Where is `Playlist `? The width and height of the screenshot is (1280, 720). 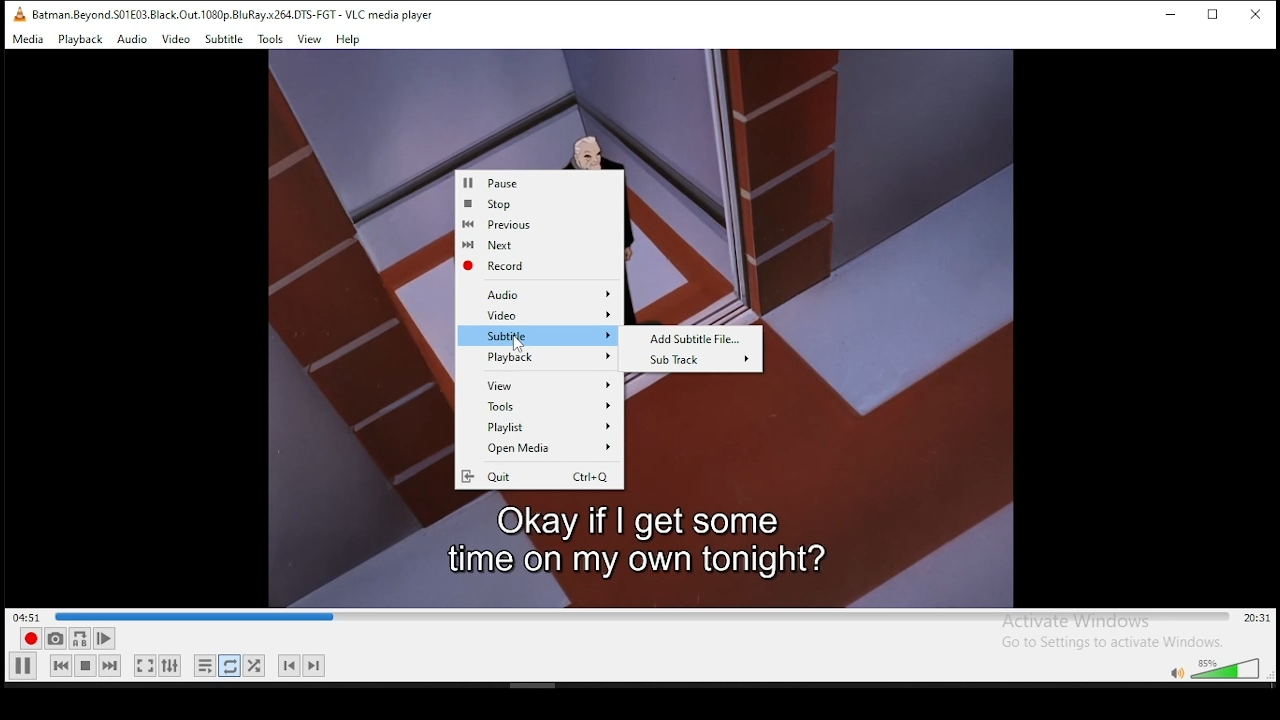 Playlist  is located at coordinates (543, 429).